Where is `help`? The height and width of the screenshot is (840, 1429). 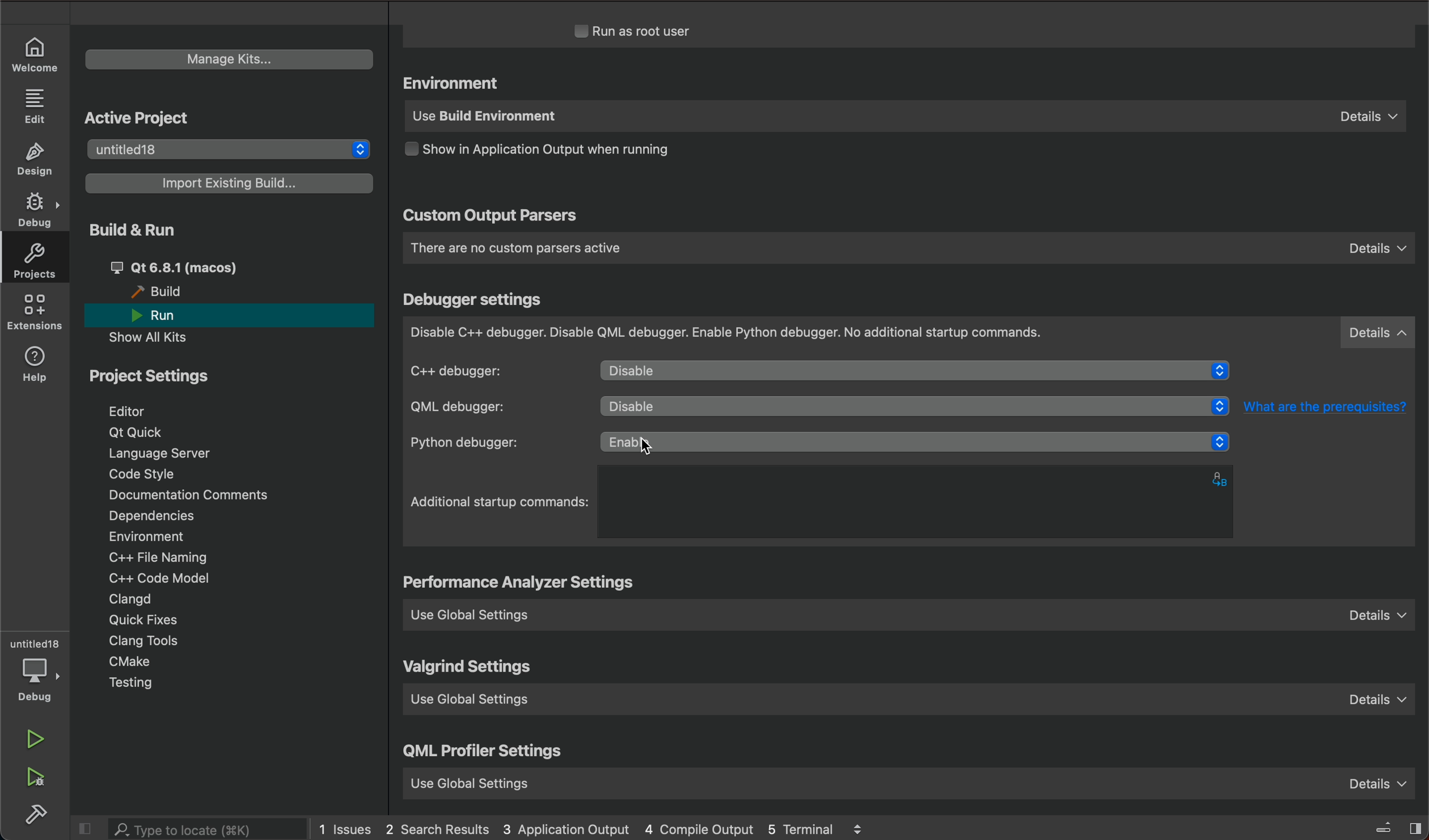
help is located at coordinates (39, 364).